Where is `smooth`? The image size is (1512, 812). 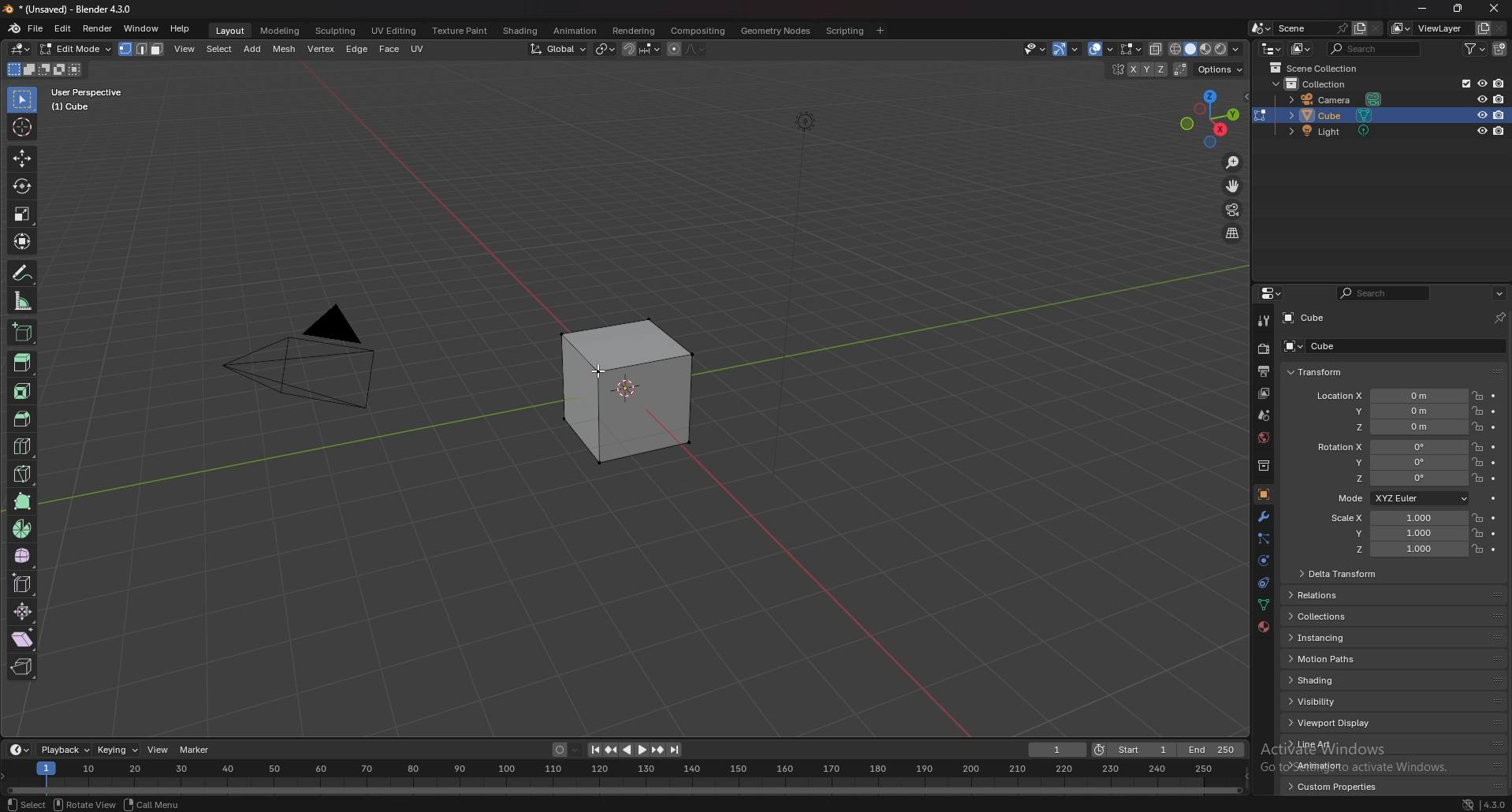 smooth is located at coordinates (22, 557).